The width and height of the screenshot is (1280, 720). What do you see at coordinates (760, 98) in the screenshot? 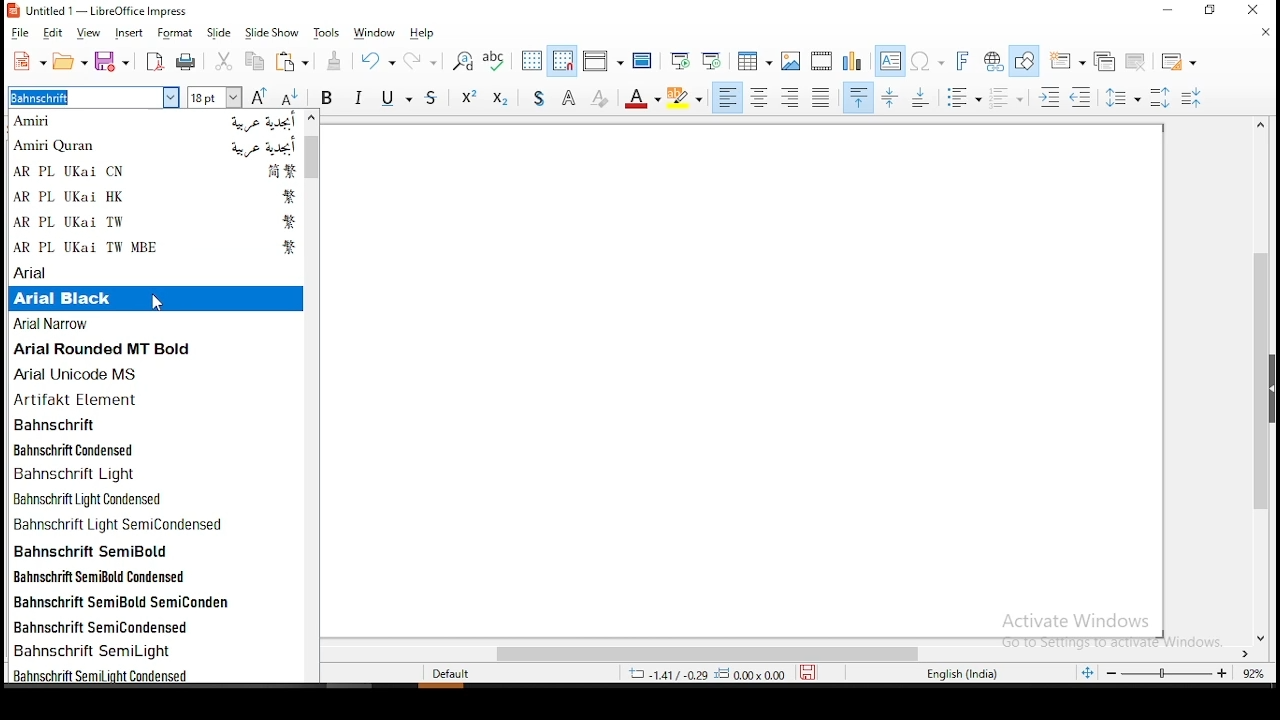
I see `align center` at bounding box center [760, 98].